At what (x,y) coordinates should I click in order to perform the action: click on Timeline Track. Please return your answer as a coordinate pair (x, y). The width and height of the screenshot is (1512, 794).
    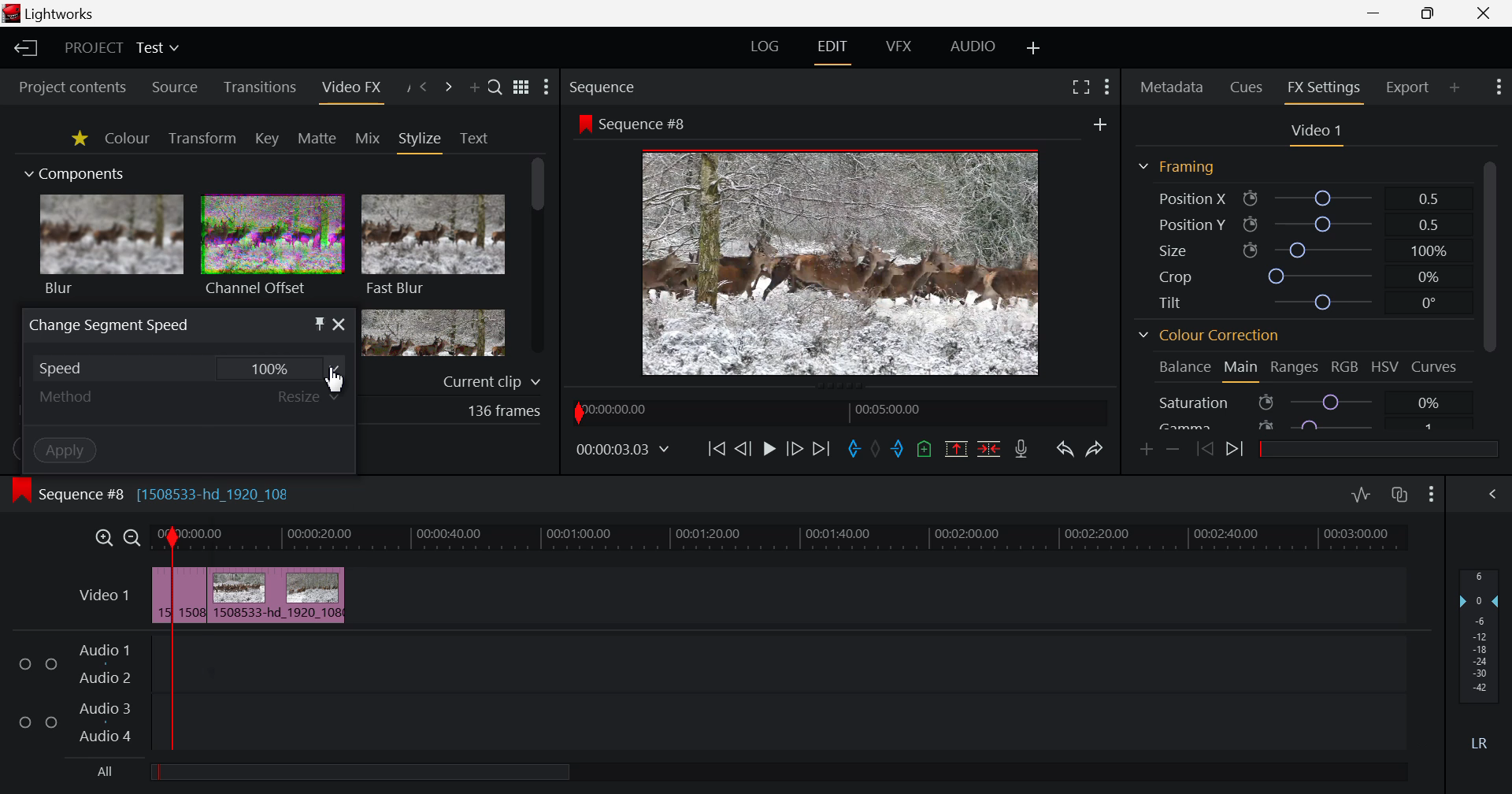
    Looking at the image, I should click on (784, 540).